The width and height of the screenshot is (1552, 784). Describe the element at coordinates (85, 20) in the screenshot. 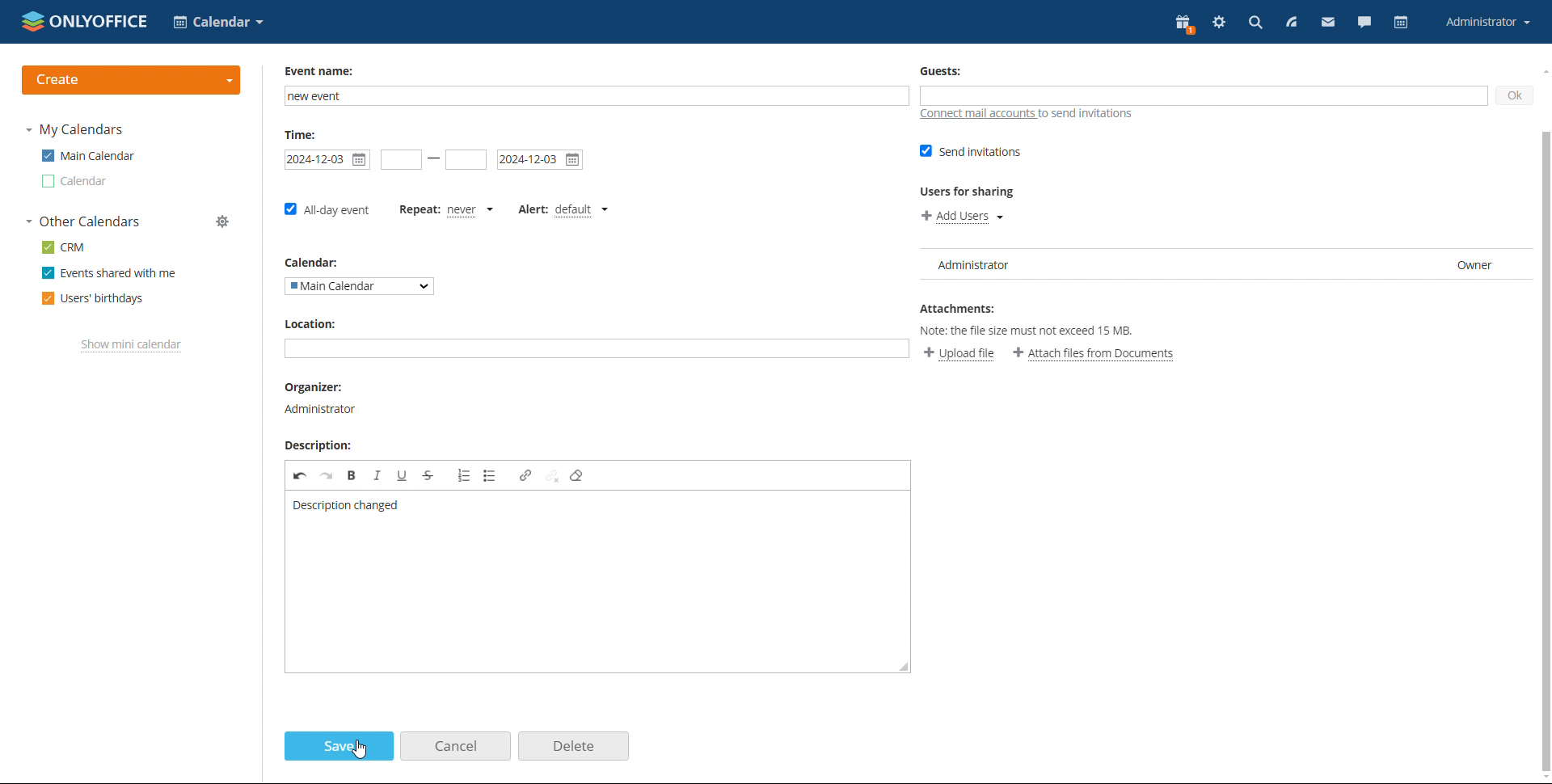

I see `logo` at that location.